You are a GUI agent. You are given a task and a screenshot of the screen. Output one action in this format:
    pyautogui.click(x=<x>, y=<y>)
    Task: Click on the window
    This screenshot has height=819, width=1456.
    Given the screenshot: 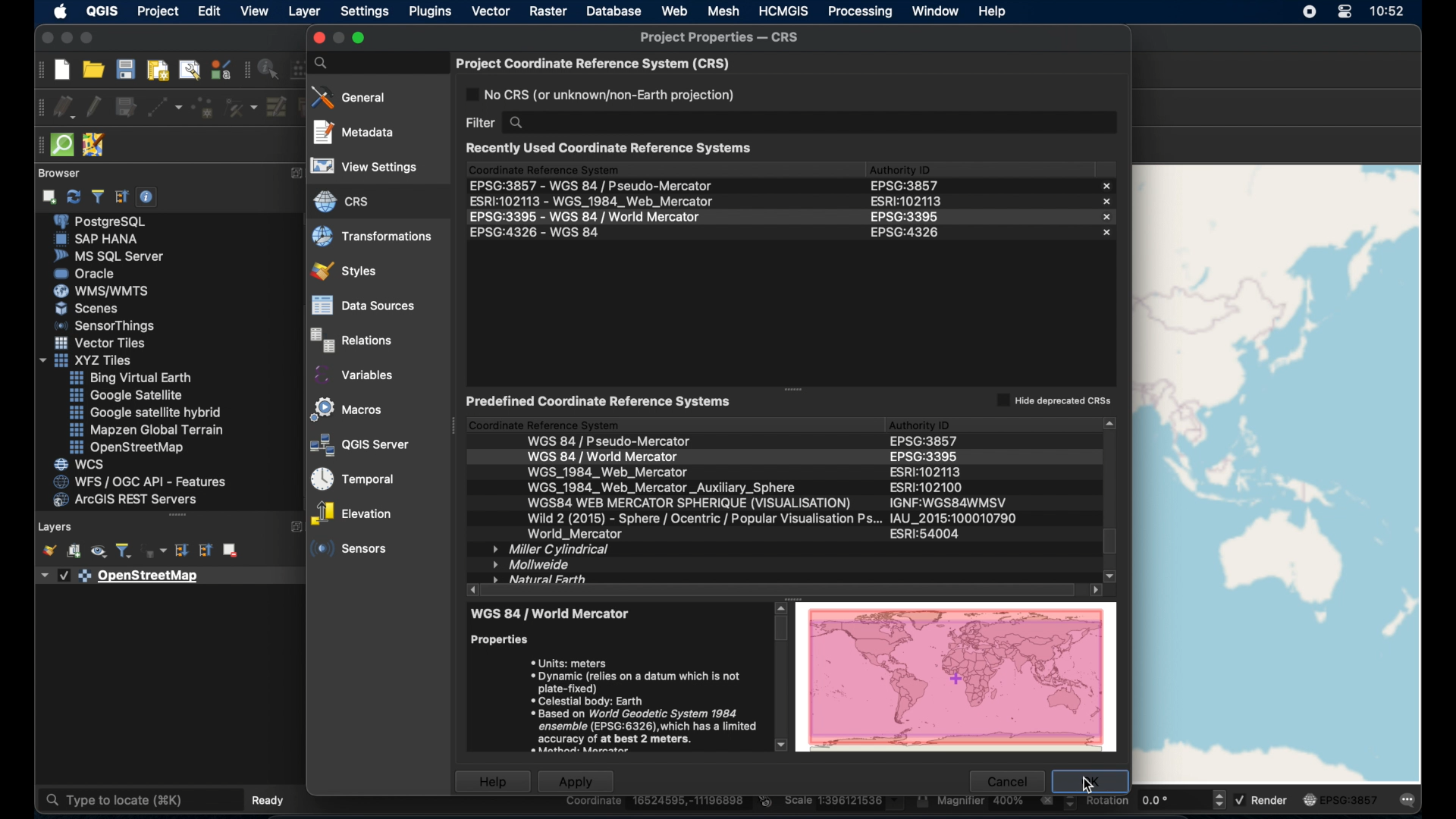 What is the action you would take?
    pyautogui.click(x=934, y=11)
    